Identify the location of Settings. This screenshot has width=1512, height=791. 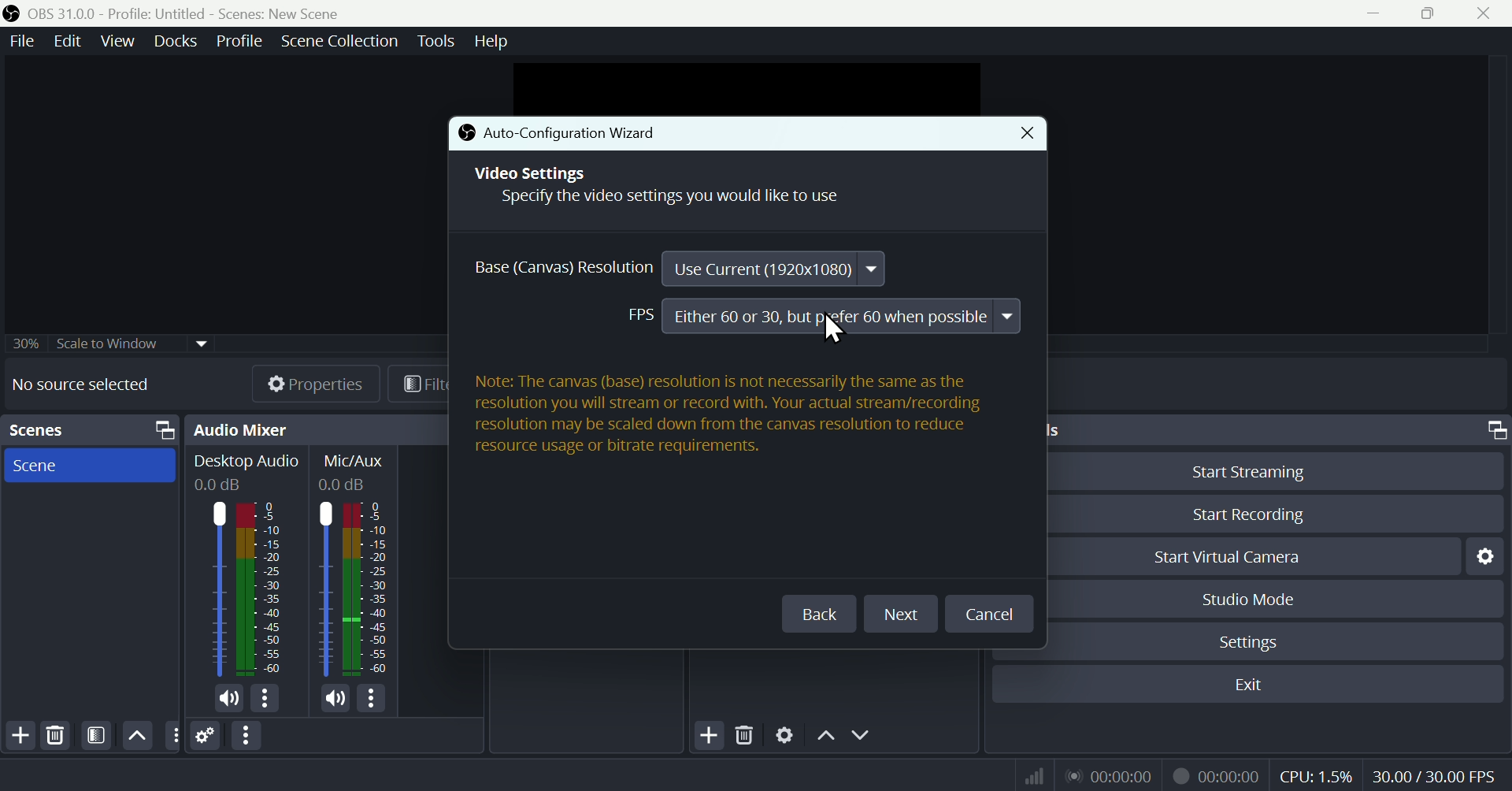
(1483, 556).